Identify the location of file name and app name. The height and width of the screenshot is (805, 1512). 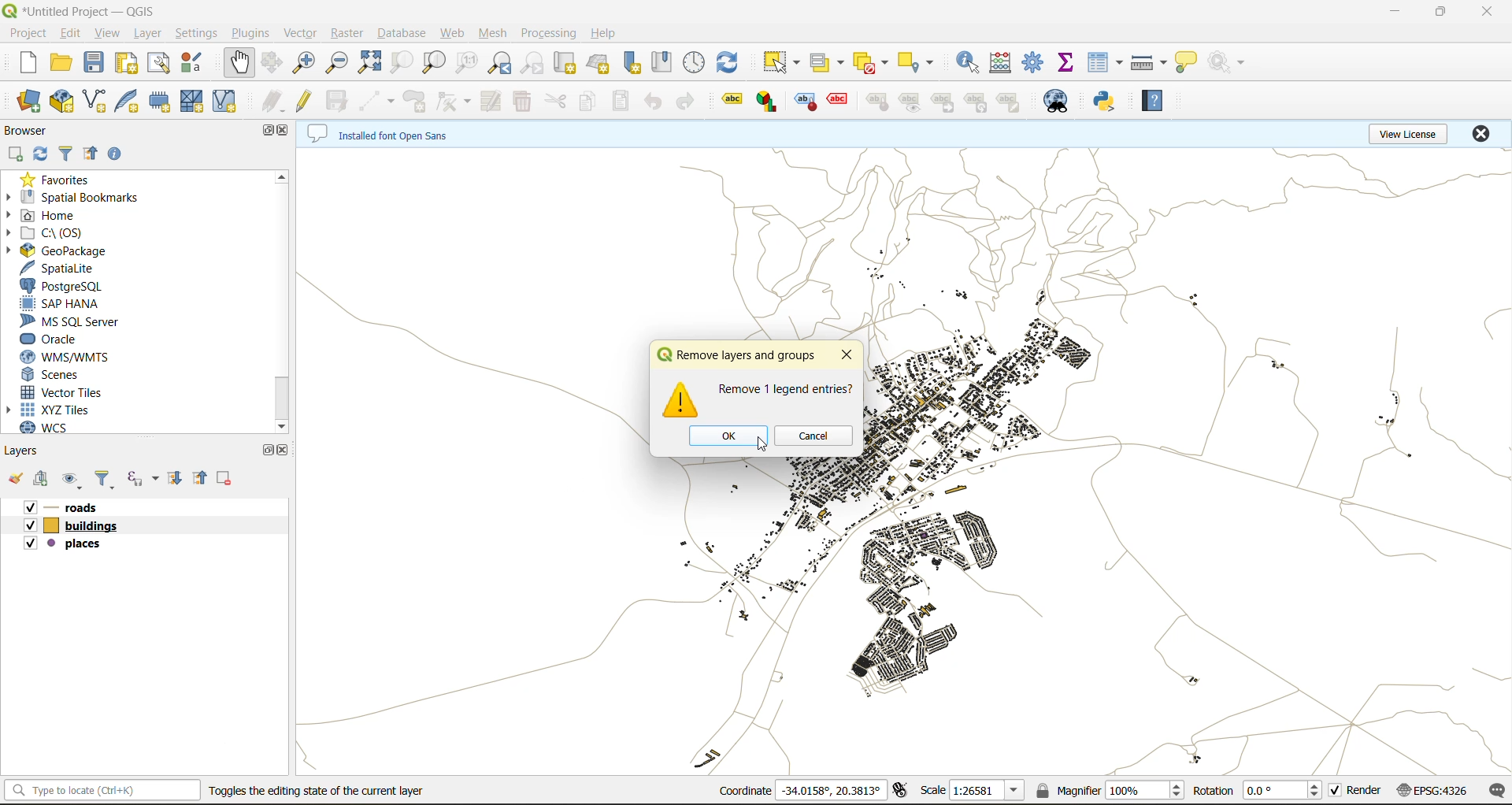
(80, 12).